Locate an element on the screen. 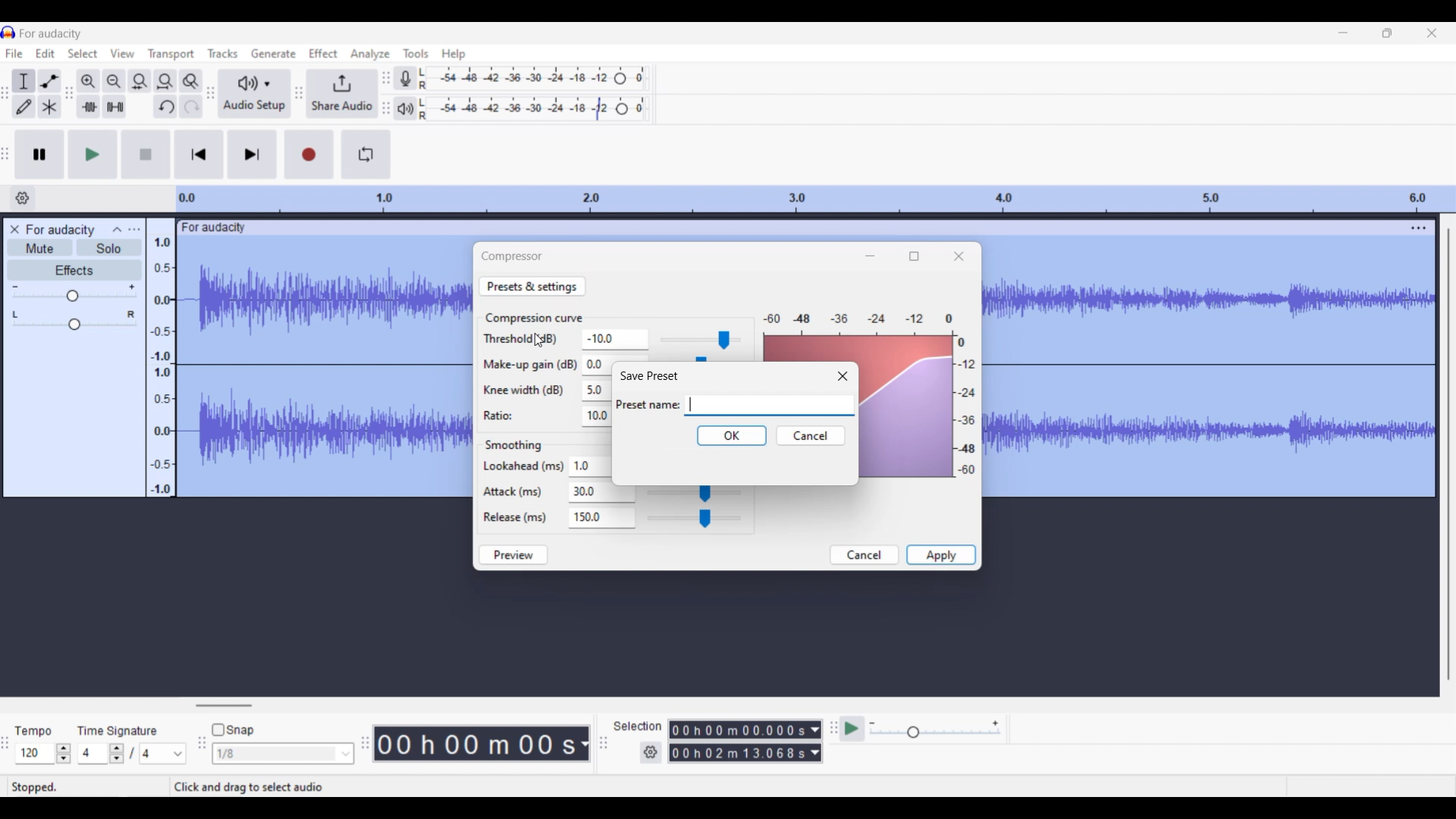 This screenshot has height=819, width=1456. Playback level is located at coordinates (534, 108).